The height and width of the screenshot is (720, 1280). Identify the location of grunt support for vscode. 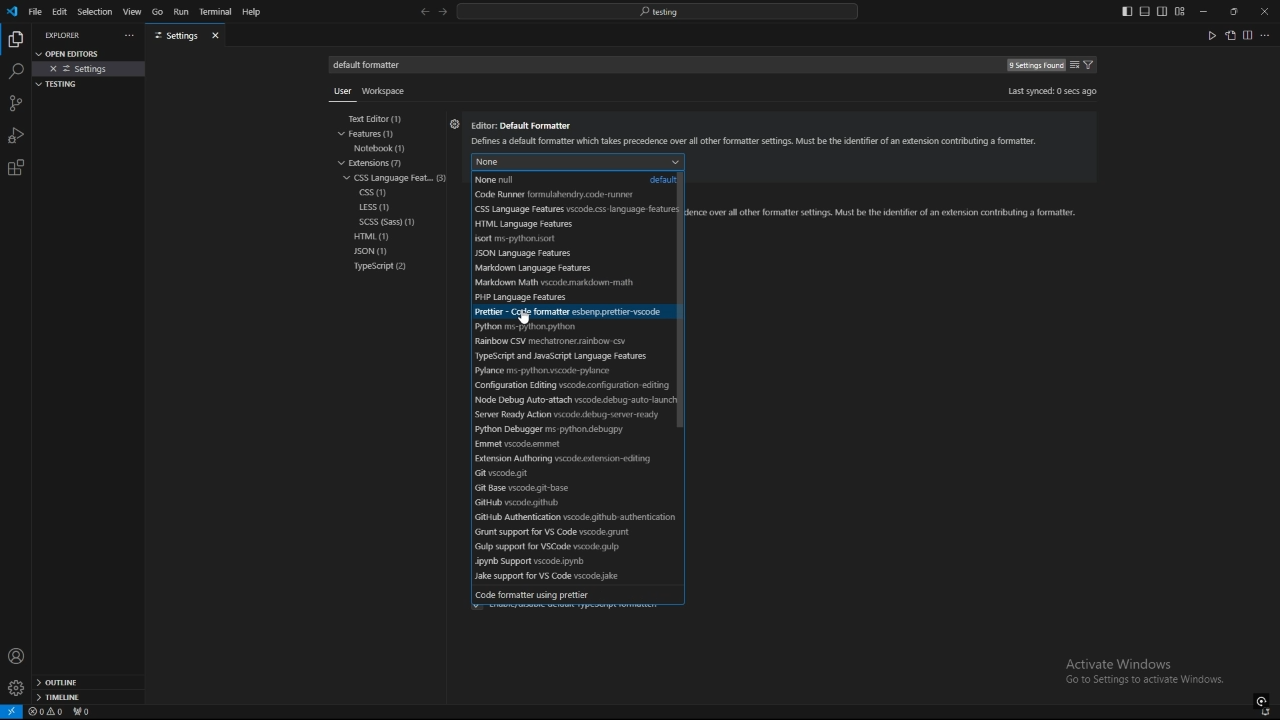
(569, 533).